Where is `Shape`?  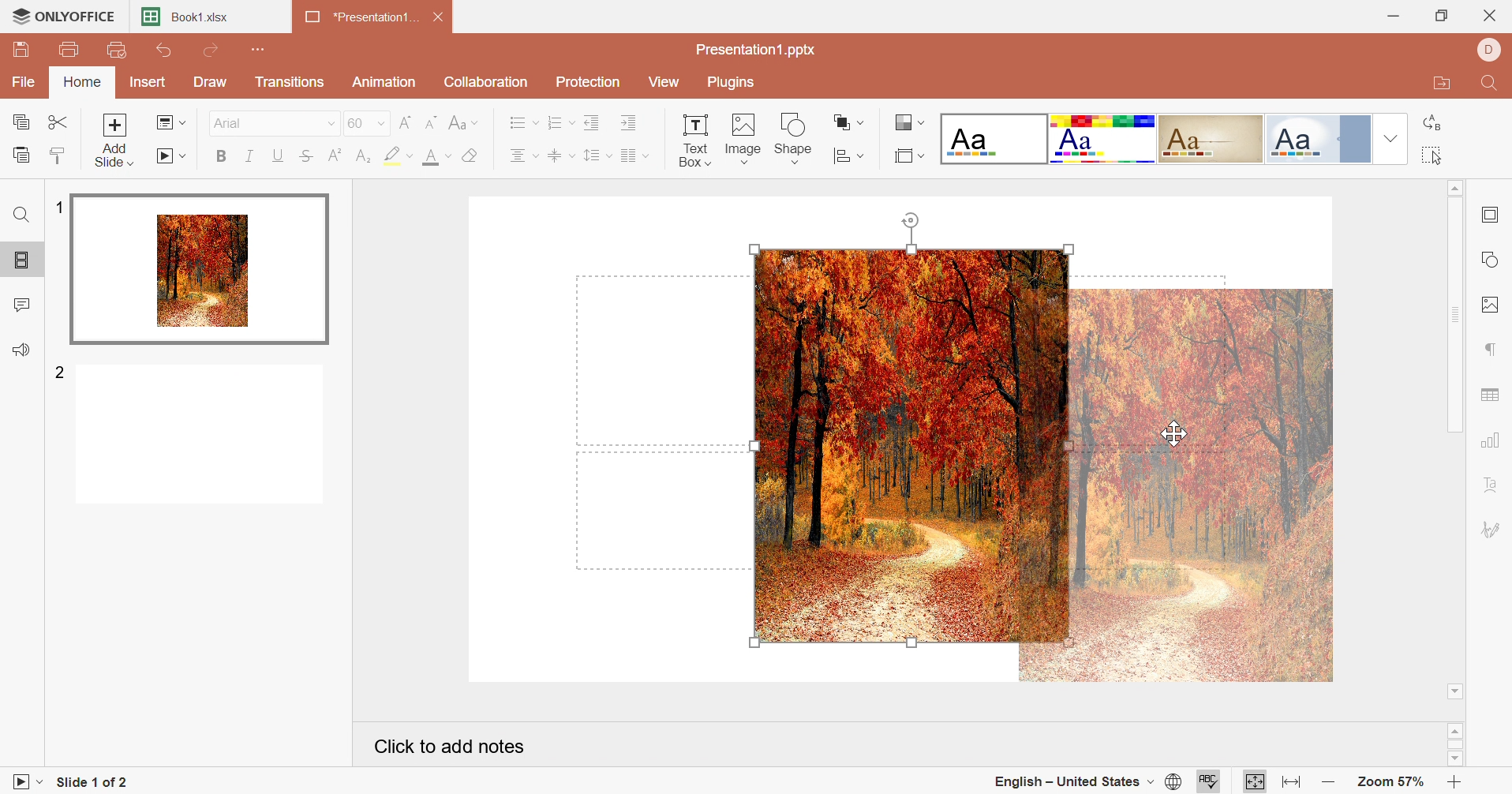
Shape is located at coordinates (796, 137).